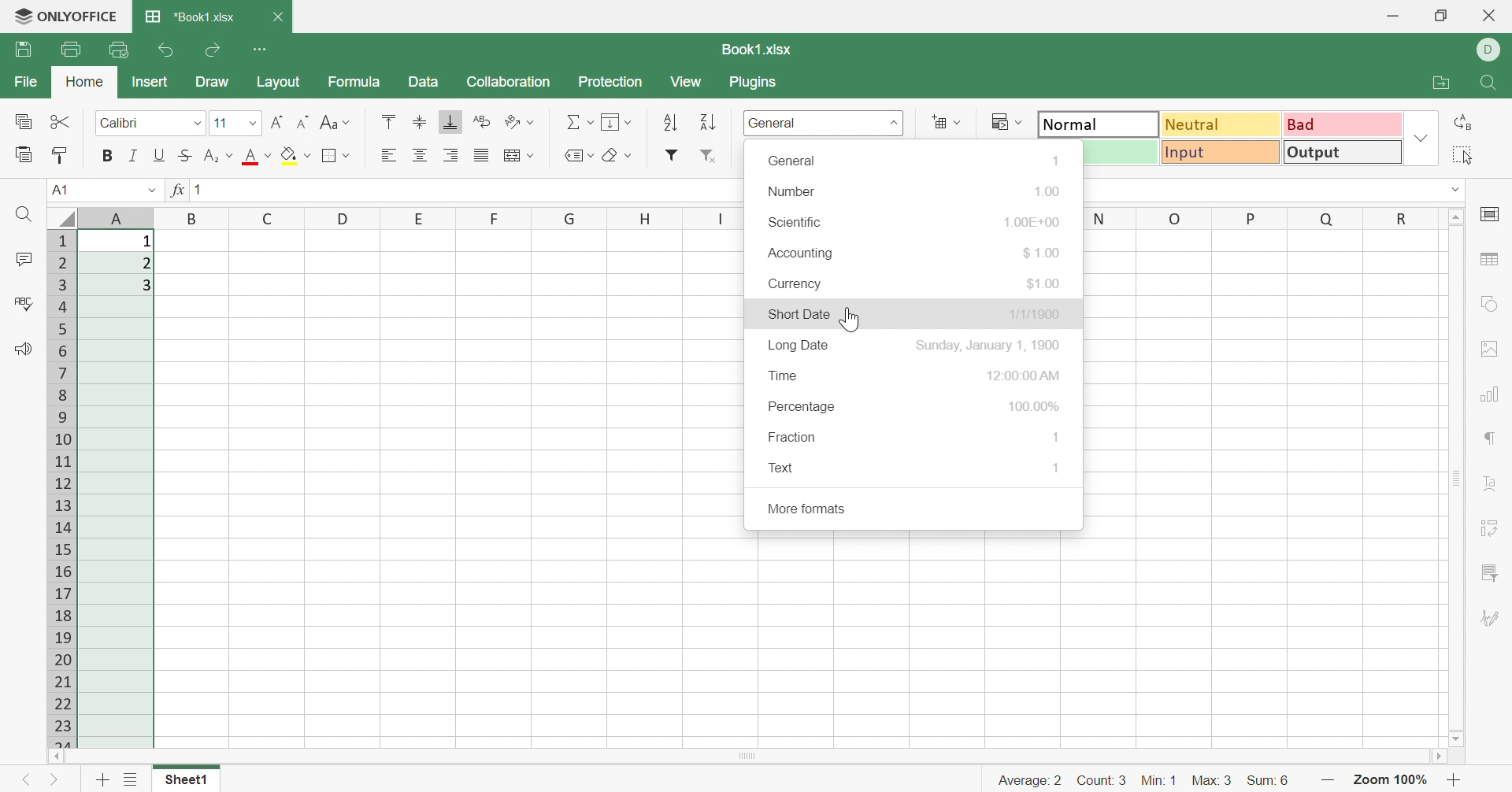  Describe the element at coordinates (188, 15) in the screenshot. I see `*Book1.xlsx` at that location.